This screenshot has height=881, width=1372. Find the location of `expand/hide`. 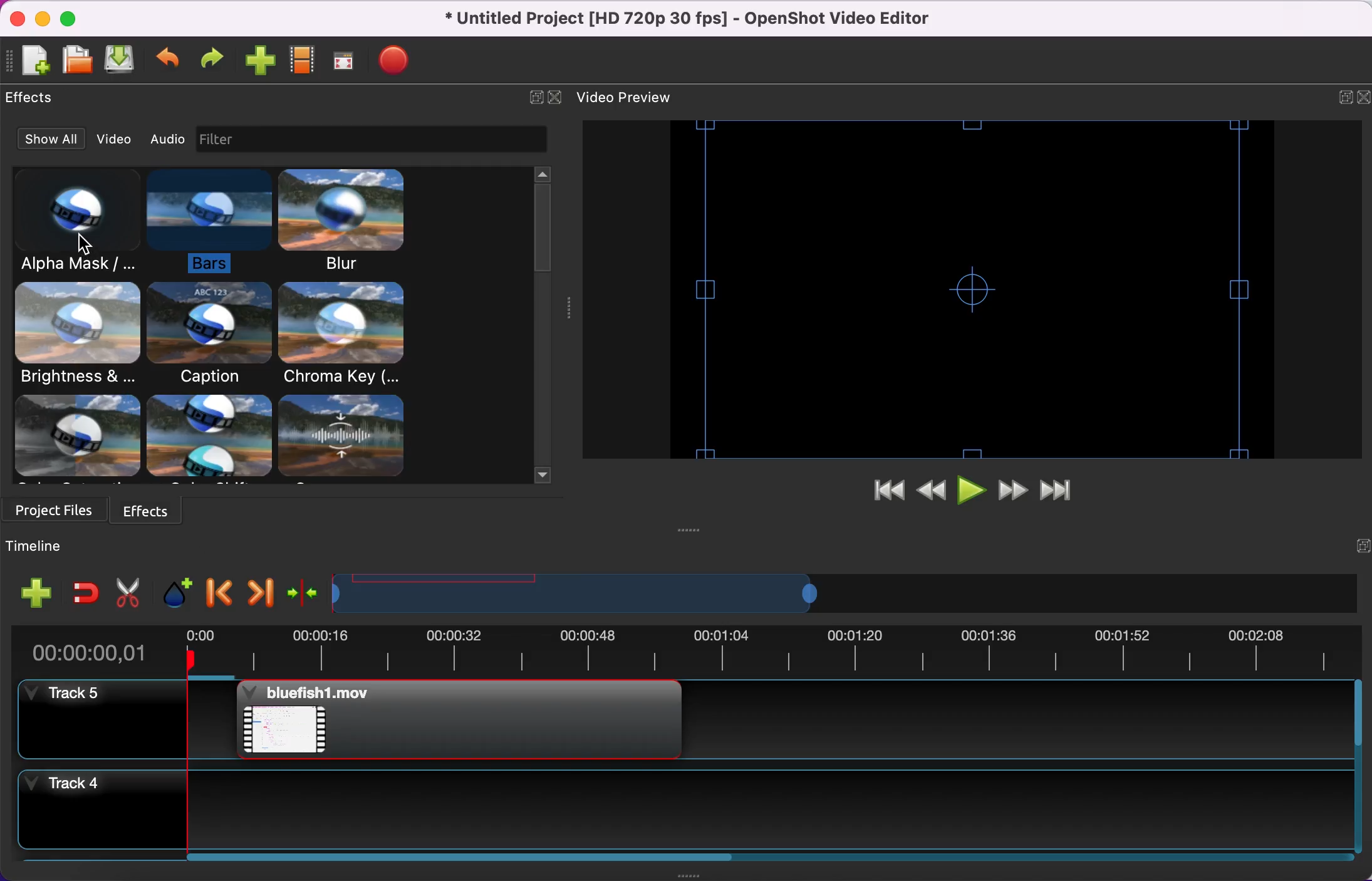

expand/hide is located at coordinates (536, 102).